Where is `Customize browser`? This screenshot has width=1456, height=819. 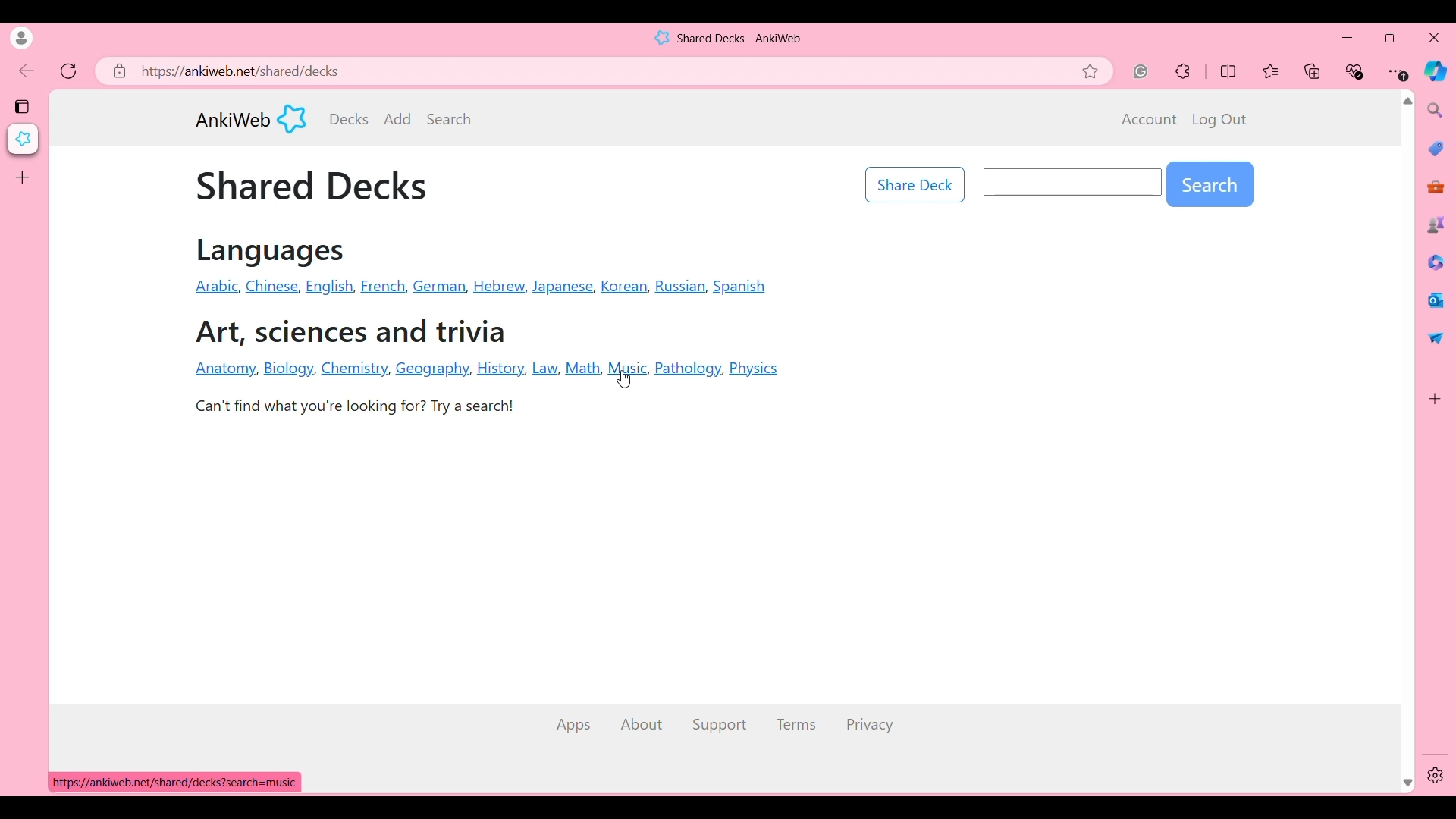 Customize browser is located at coordinates (1436, 399).